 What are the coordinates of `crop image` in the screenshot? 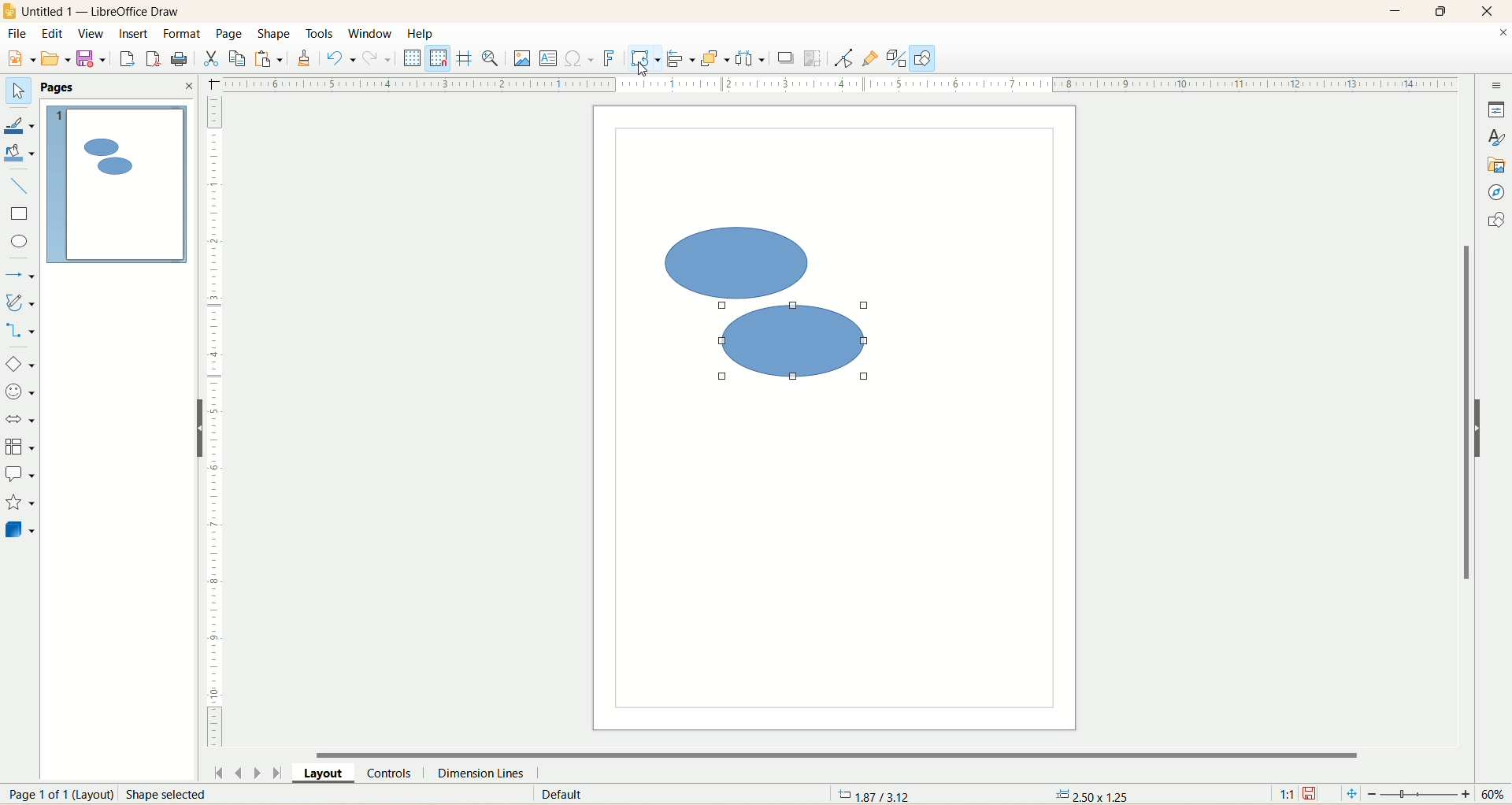 It's located at (814, 58).